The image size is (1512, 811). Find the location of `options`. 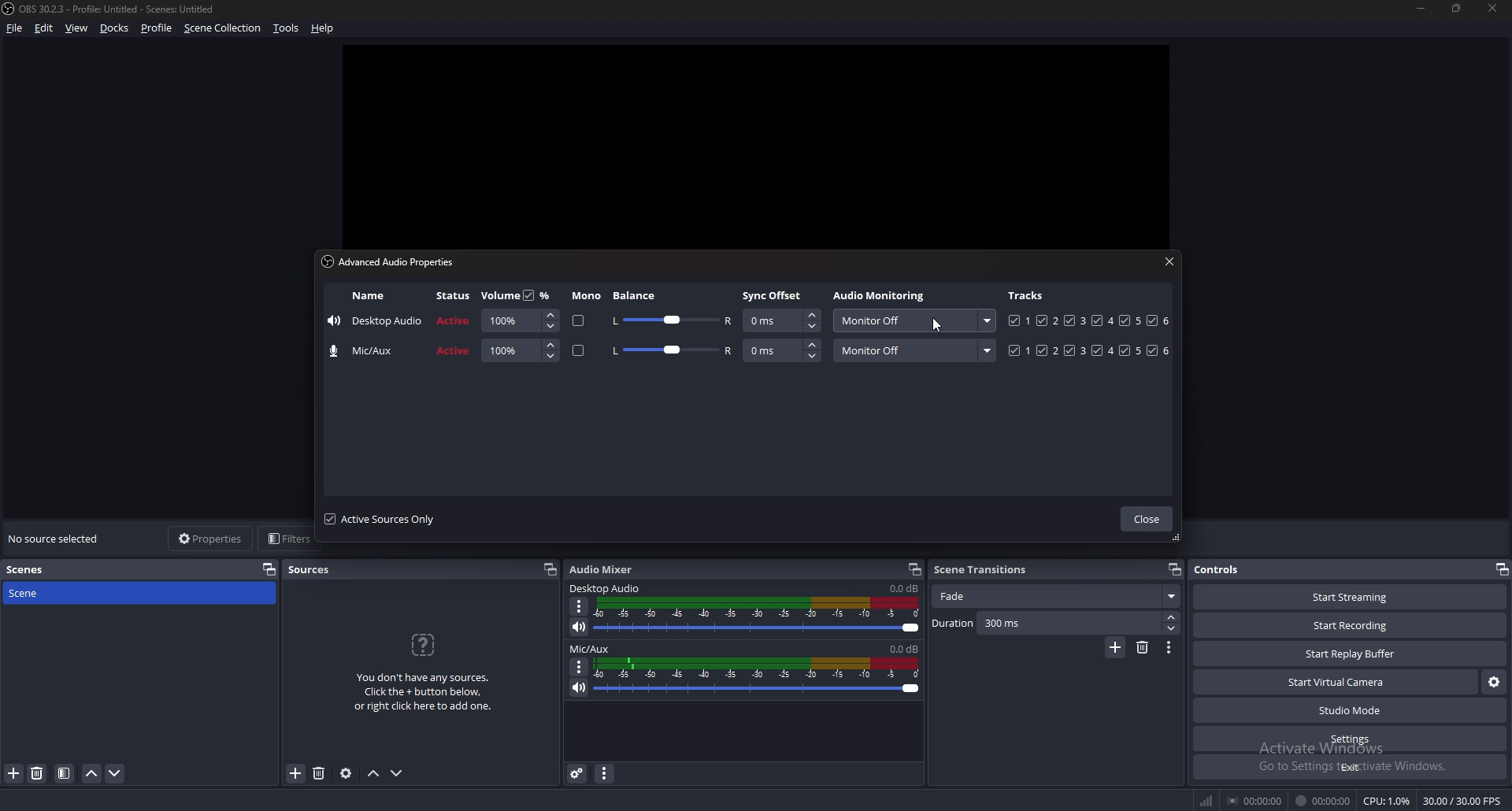

options is located at coordinates (582, 606).